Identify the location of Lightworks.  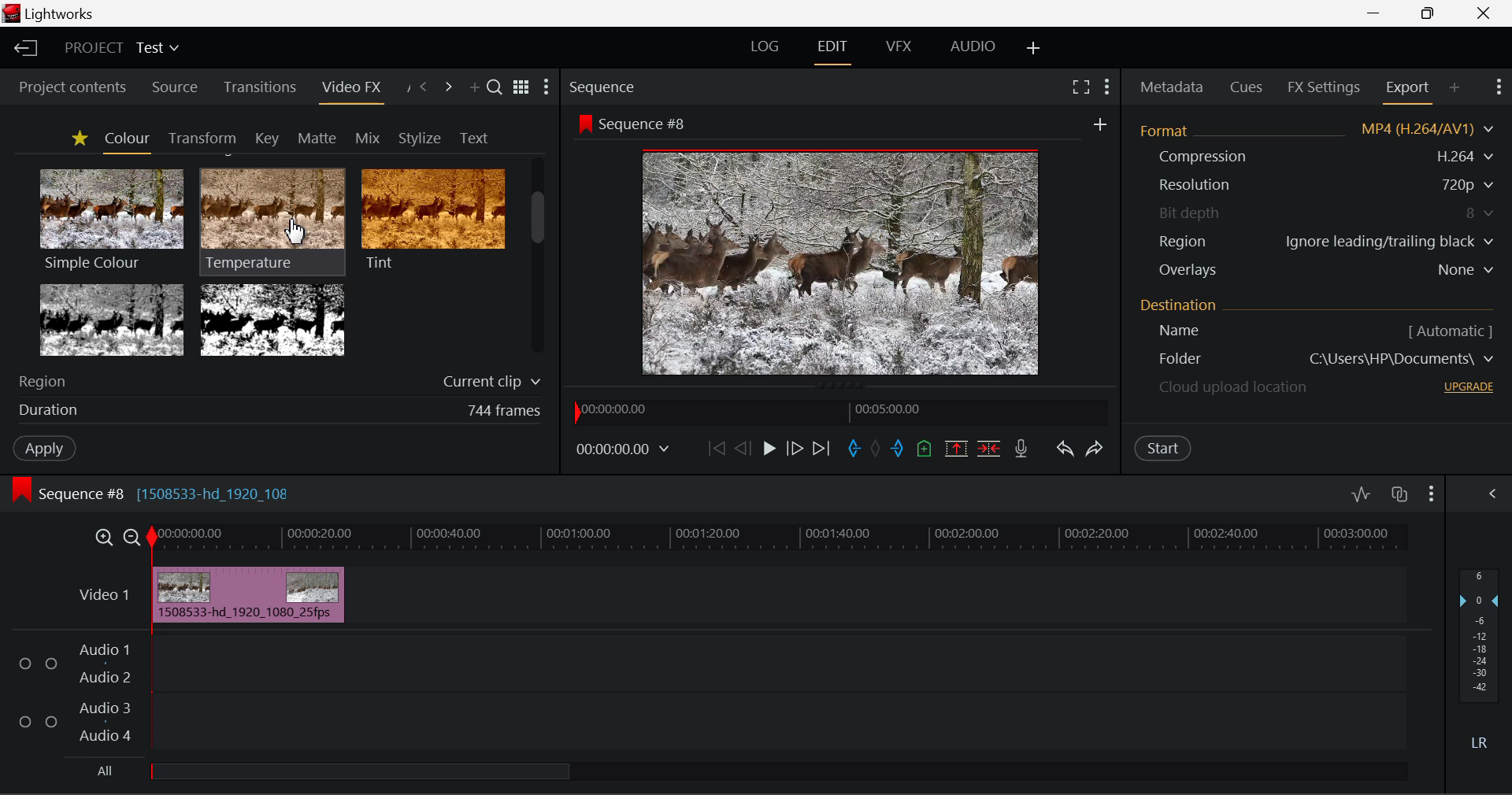
(63, 14).